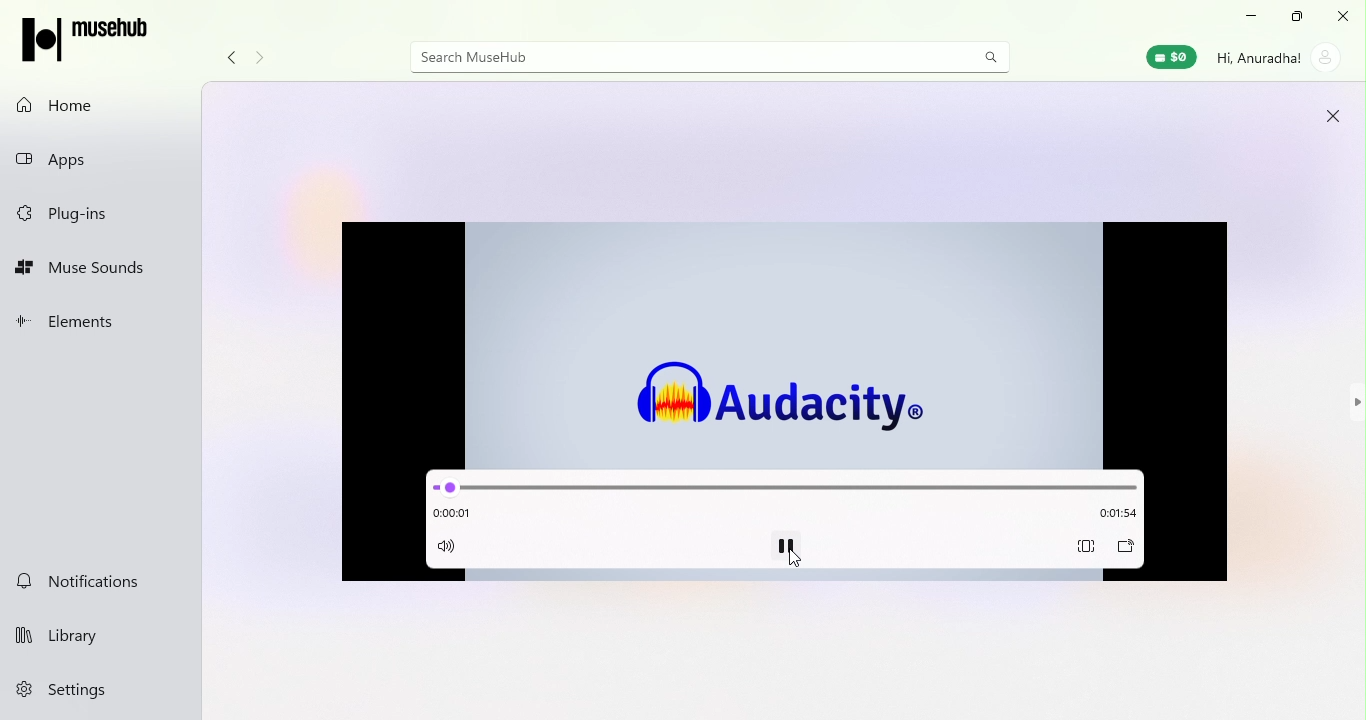  I want to click on Account, so click(1275, 60).